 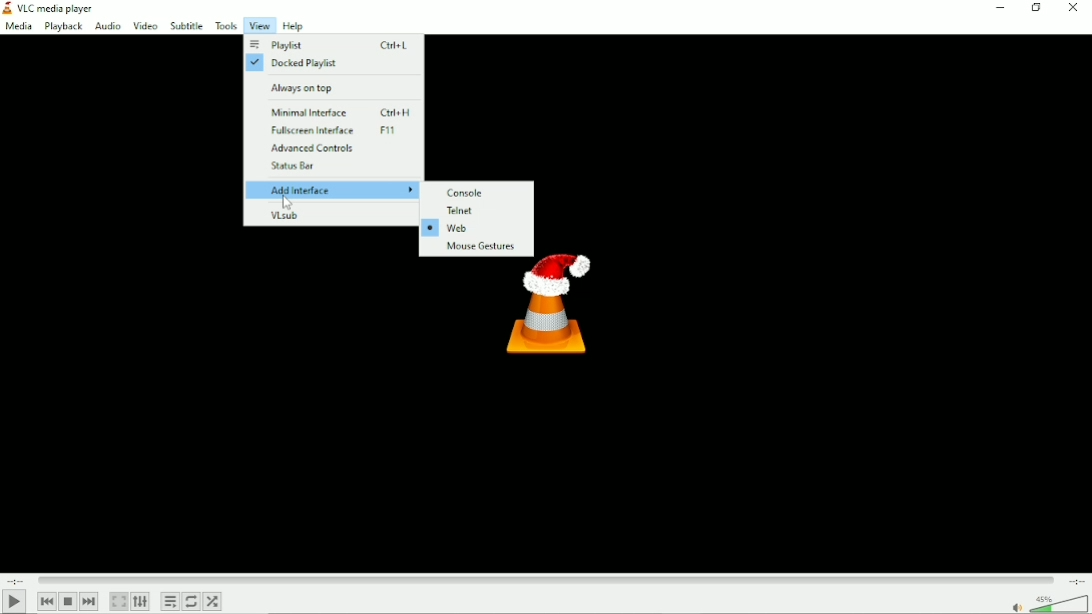 What do you see at coordinates (341, 131) in the screenshot?
I see `Fullscreen interface` at bounding box center [341, 131].